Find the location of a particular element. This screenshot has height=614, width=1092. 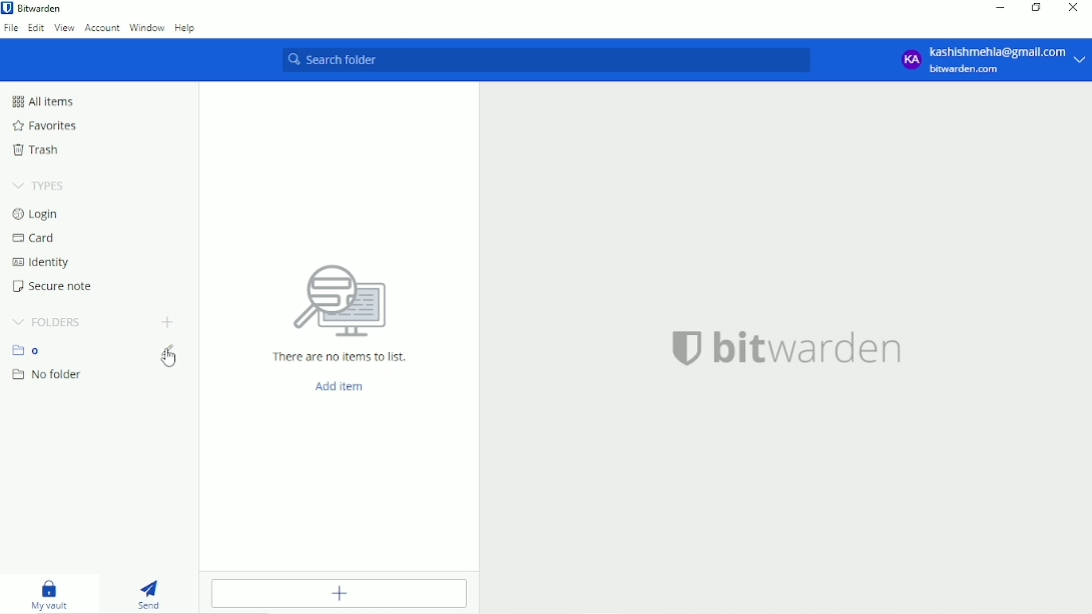

Restore down is located at coordinates (1035, 9).